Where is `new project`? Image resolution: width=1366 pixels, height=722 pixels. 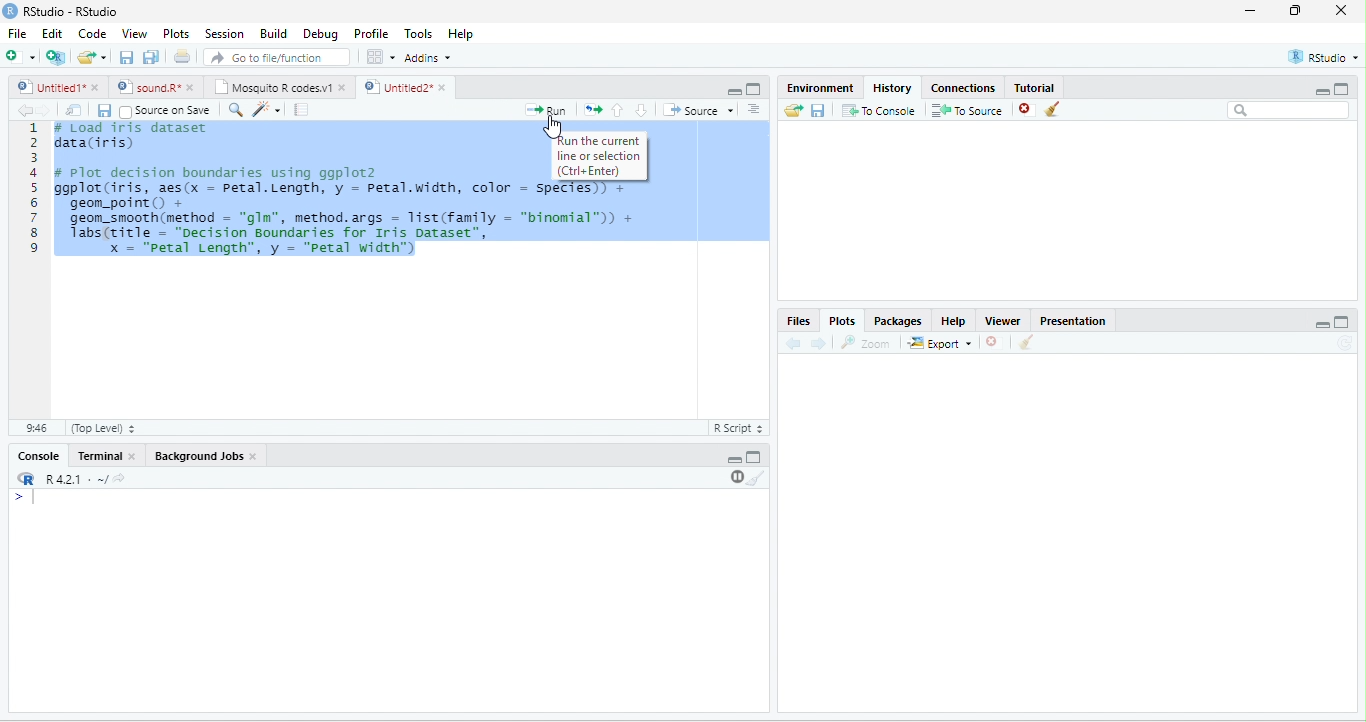
new project is located at coordinates (56, 58).